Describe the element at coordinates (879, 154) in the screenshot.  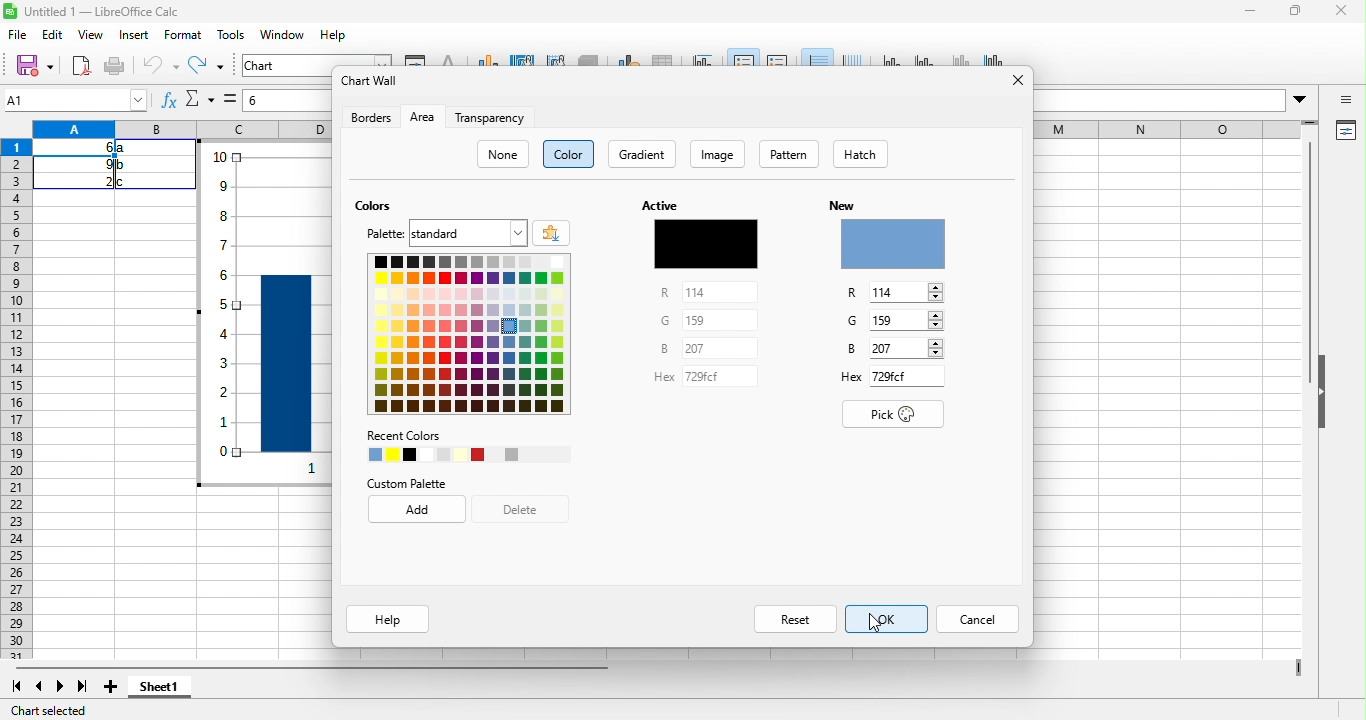
I see `hatch` at that location.